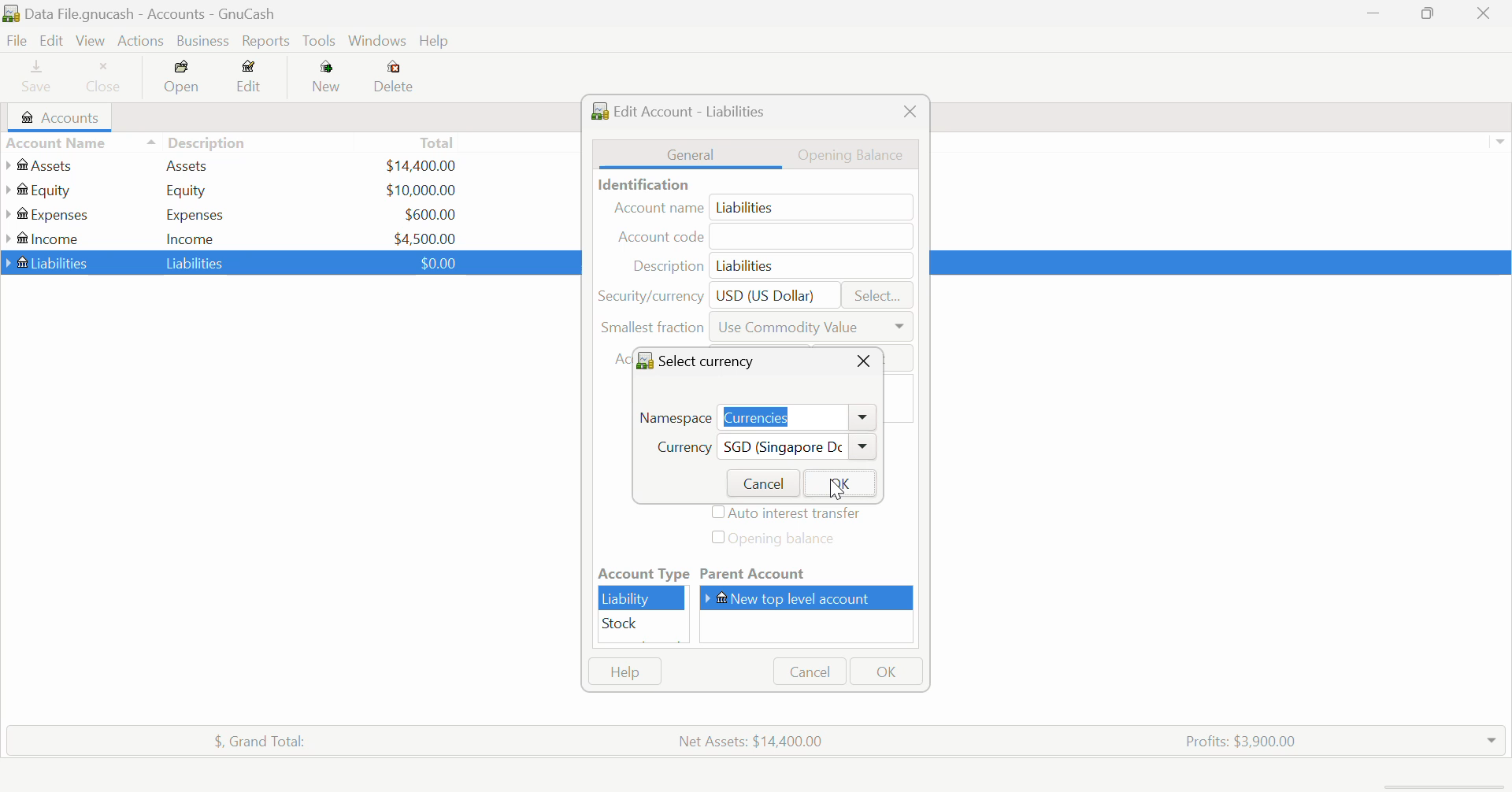 This screenshot has width=1512, height=792. I want to click on OK, so click(884, 672).